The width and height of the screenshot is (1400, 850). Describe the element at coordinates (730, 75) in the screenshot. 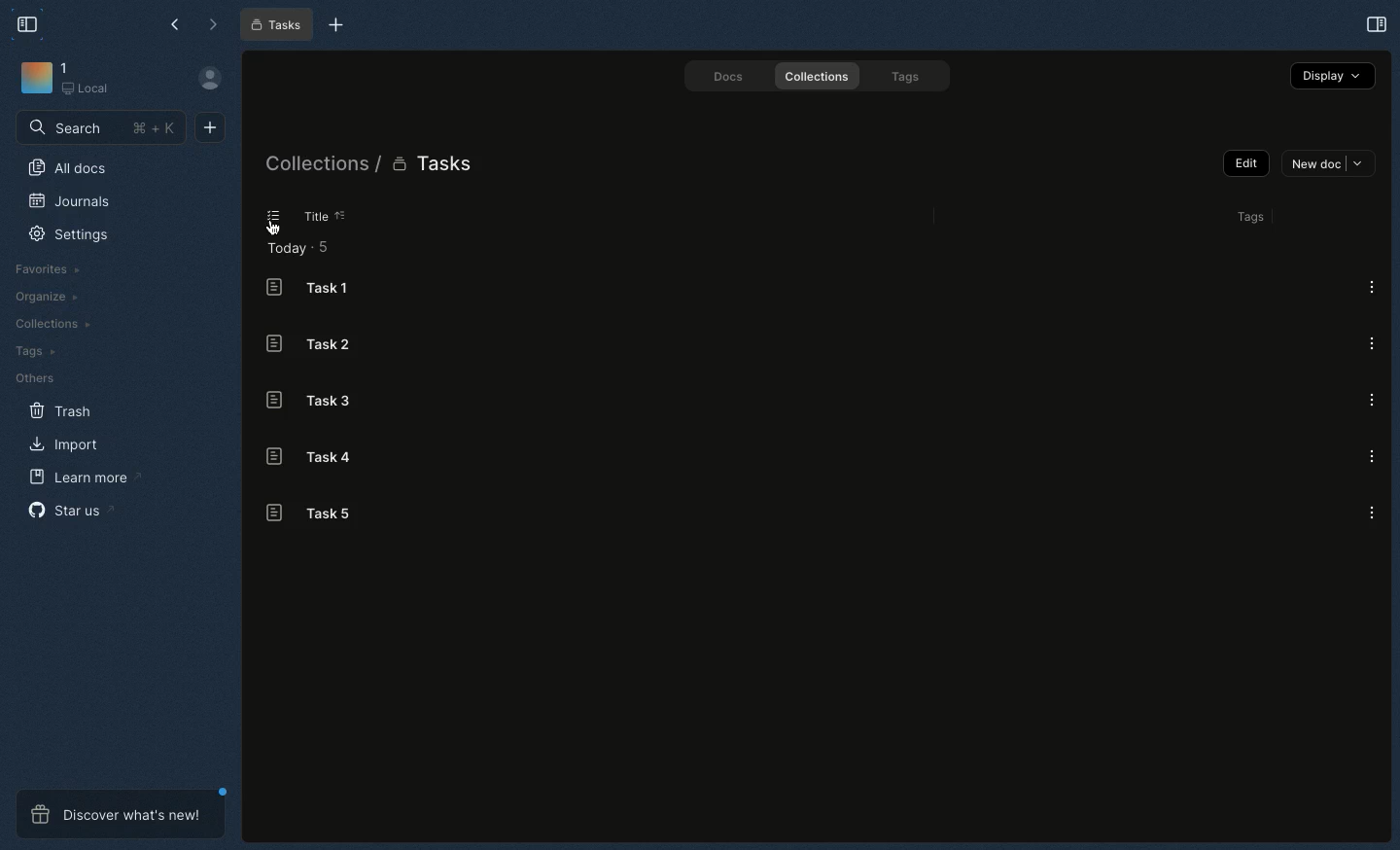

I see `Docs` at that location.